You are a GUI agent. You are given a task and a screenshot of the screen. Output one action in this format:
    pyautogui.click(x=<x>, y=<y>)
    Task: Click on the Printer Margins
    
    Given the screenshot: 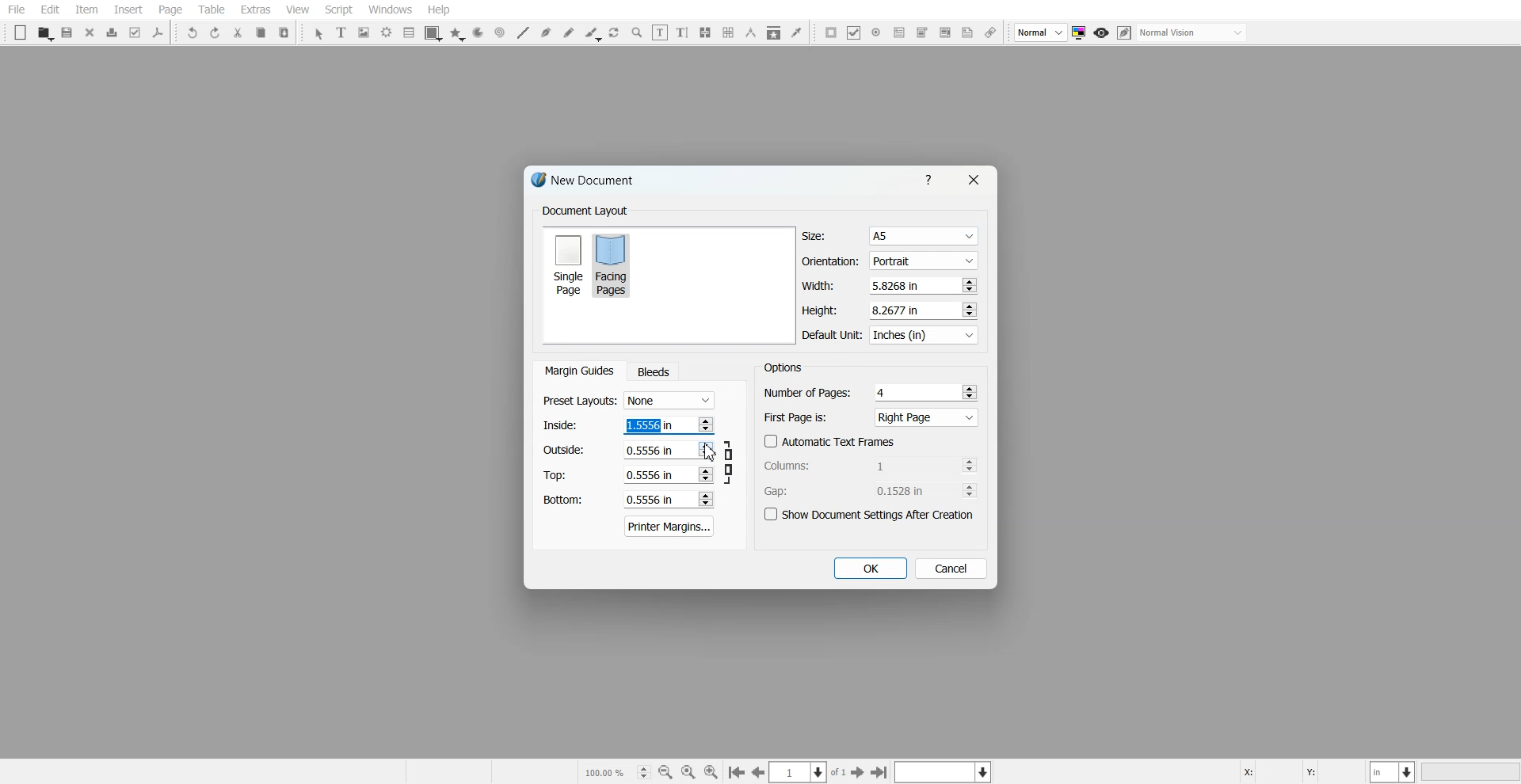 What is the action you would take?
    pyautogui.click(x=670, y=526)
    